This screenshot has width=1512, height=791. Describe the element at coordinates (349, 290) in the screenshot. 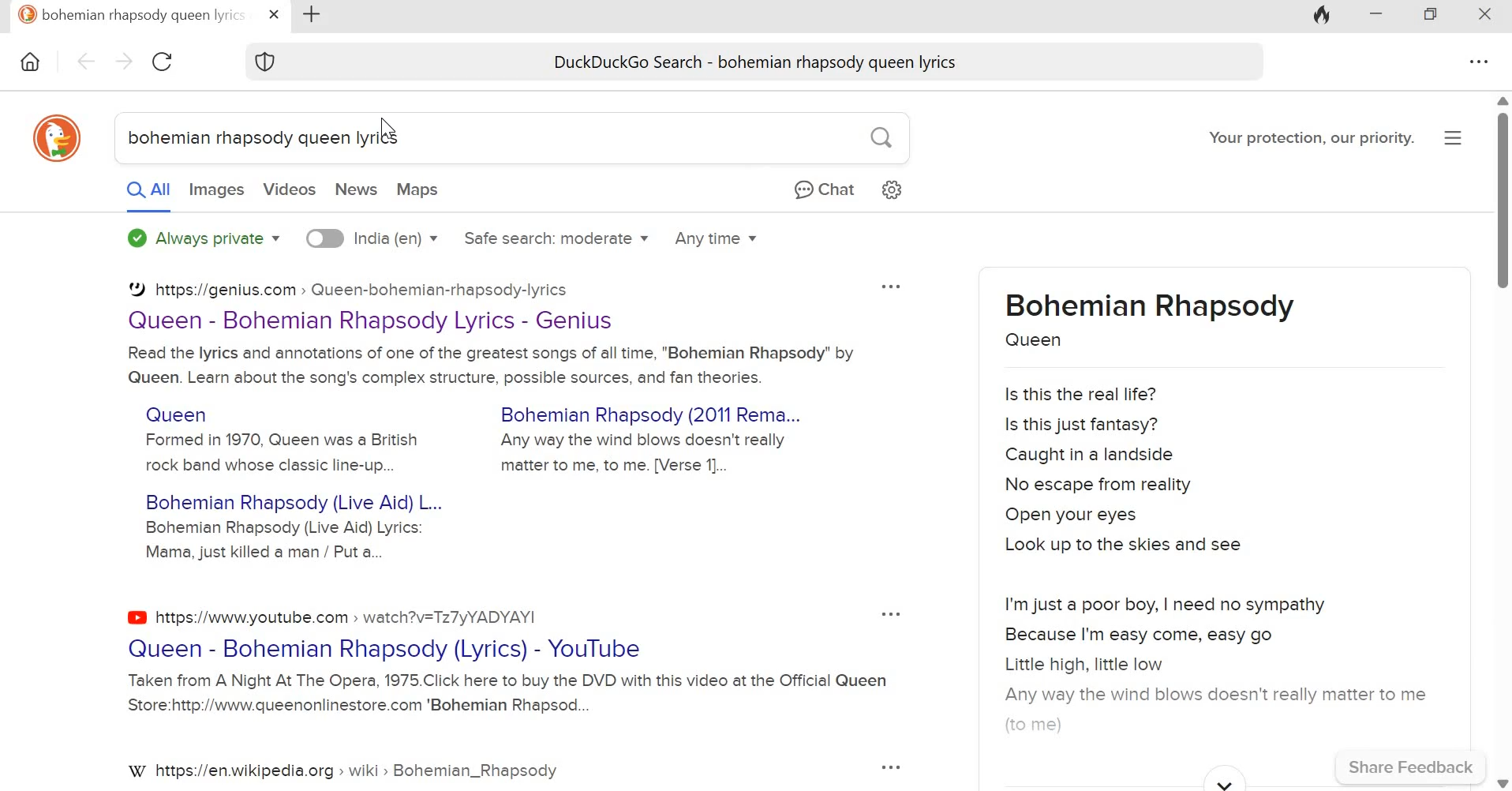

I see `https://genius.com >» Queen-bohemian-rhapsody-lyrics` at that location.